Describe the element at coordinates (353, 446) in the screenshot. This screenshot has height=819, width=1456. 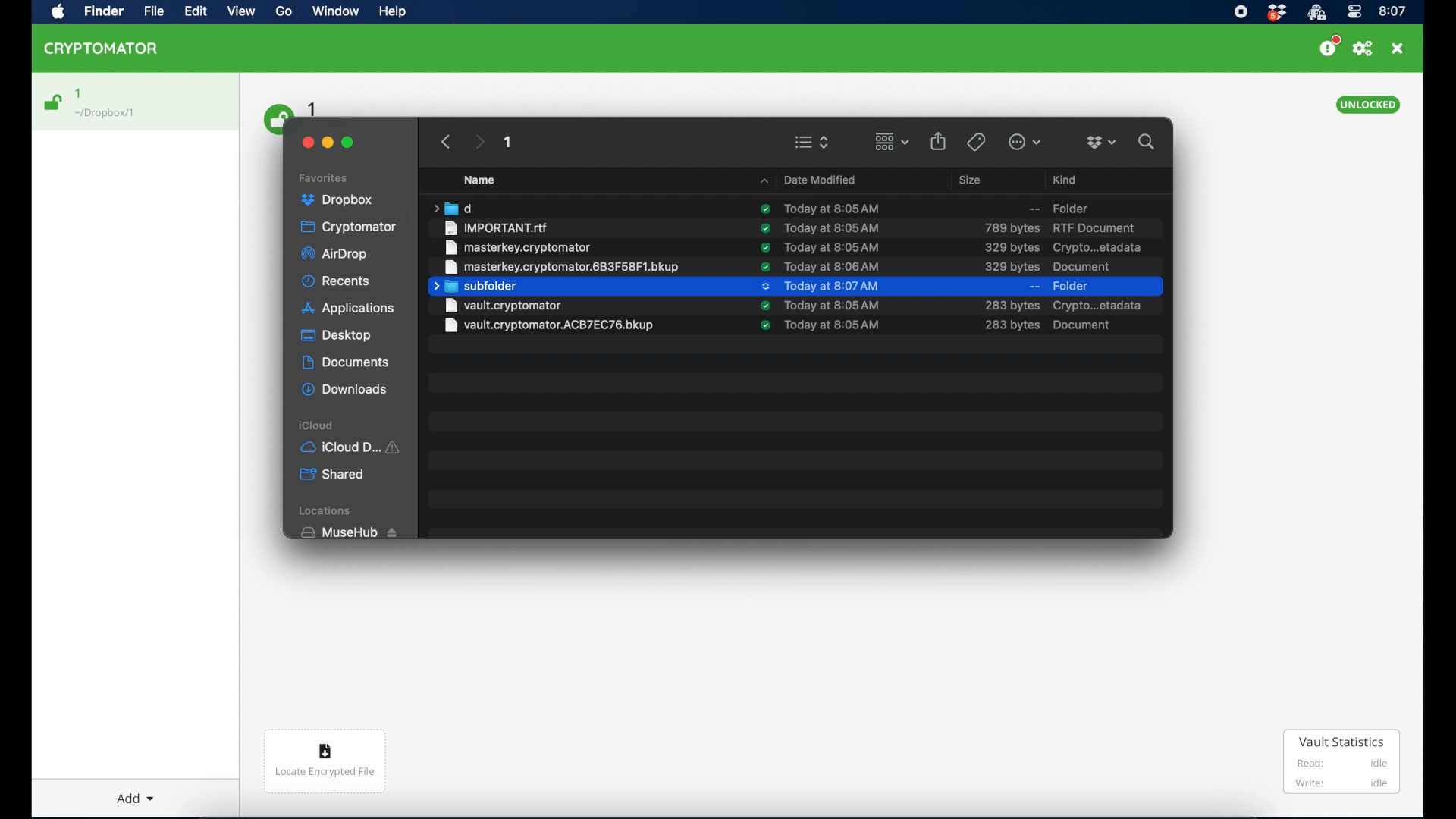
I see `iCloud` at that location.